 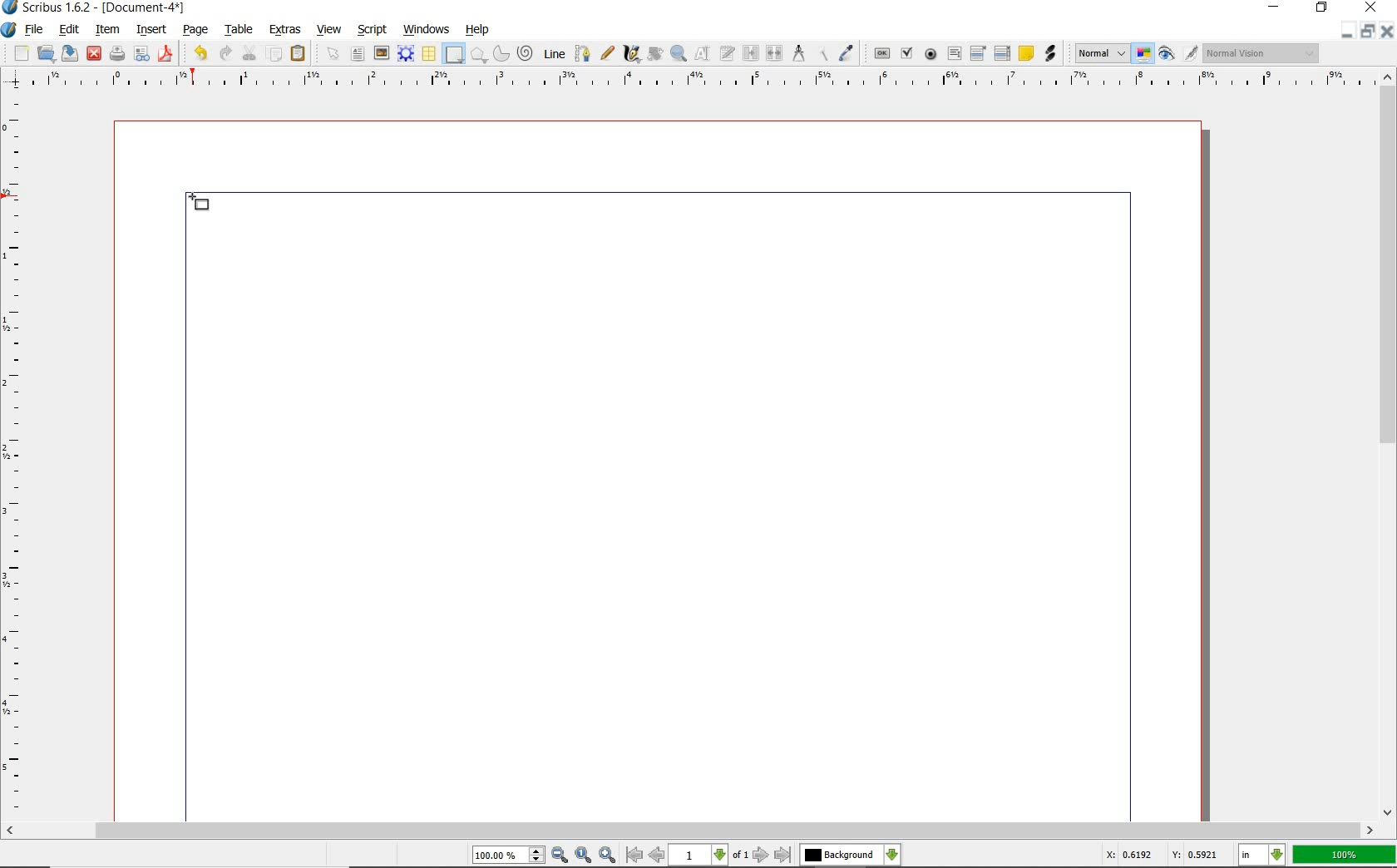 I want to click on spiral, so click(x=526, y=53).